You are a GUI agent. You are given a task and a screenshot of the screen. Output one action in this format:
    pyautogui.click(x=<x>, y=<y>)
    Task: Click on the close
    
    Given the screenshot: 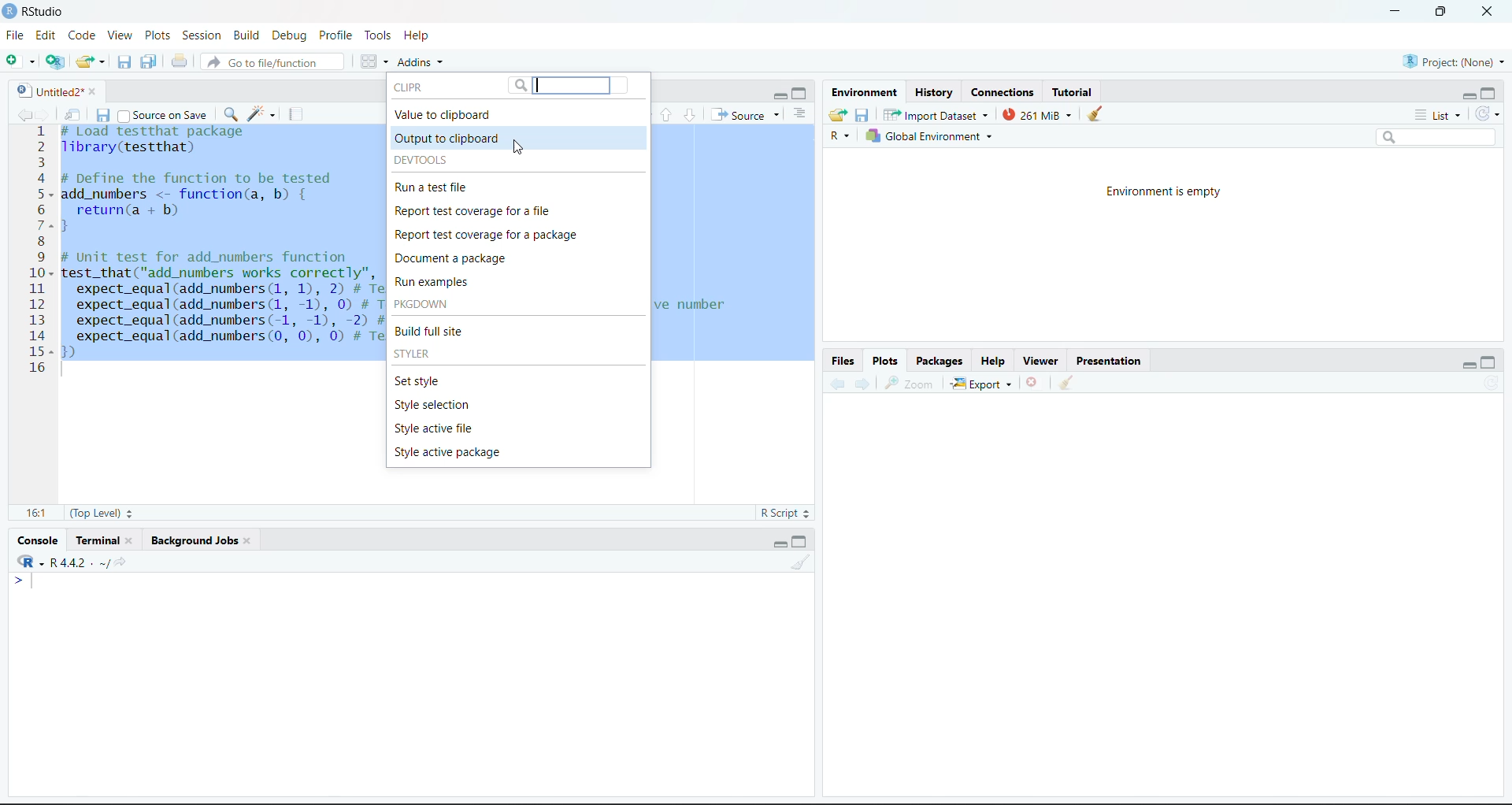 What is the action you would take?
    pyautogui.click(x=95, y=91)
    